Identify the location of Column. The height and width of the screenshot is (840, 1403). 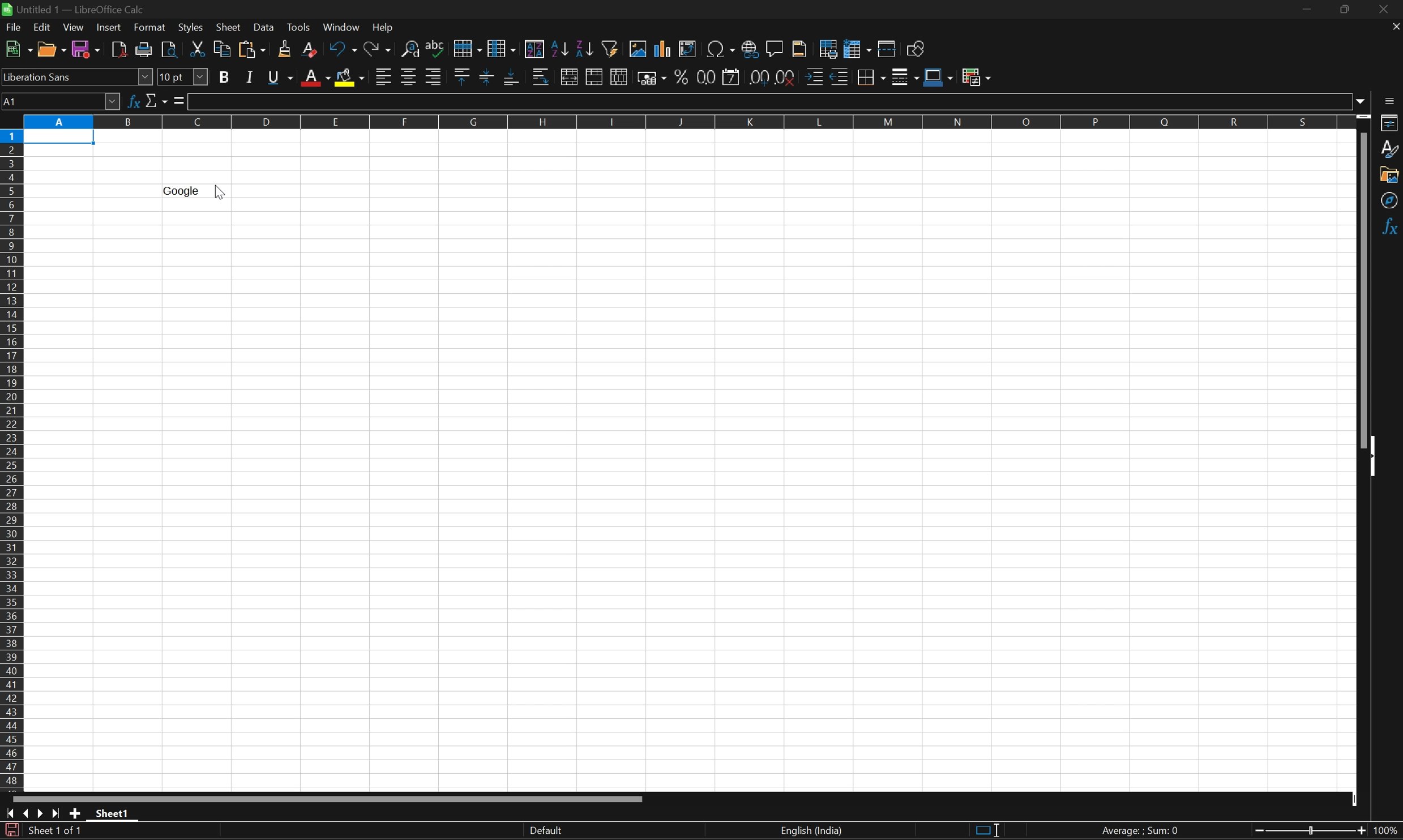
(503, 46).